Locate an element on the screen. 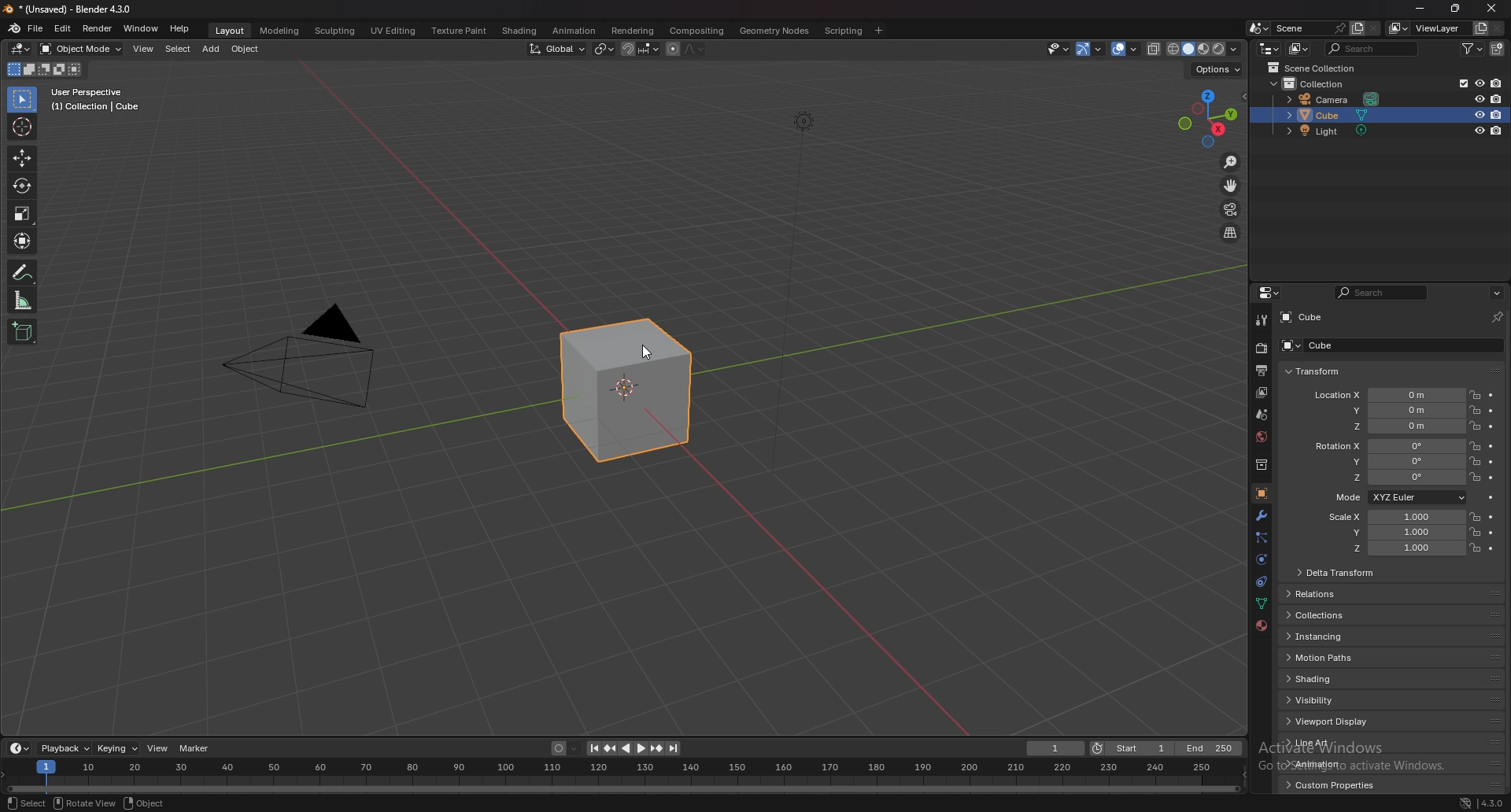 The width and height of the screenshot is (1511, 812). animate property is located at coordinates (1491, 447).